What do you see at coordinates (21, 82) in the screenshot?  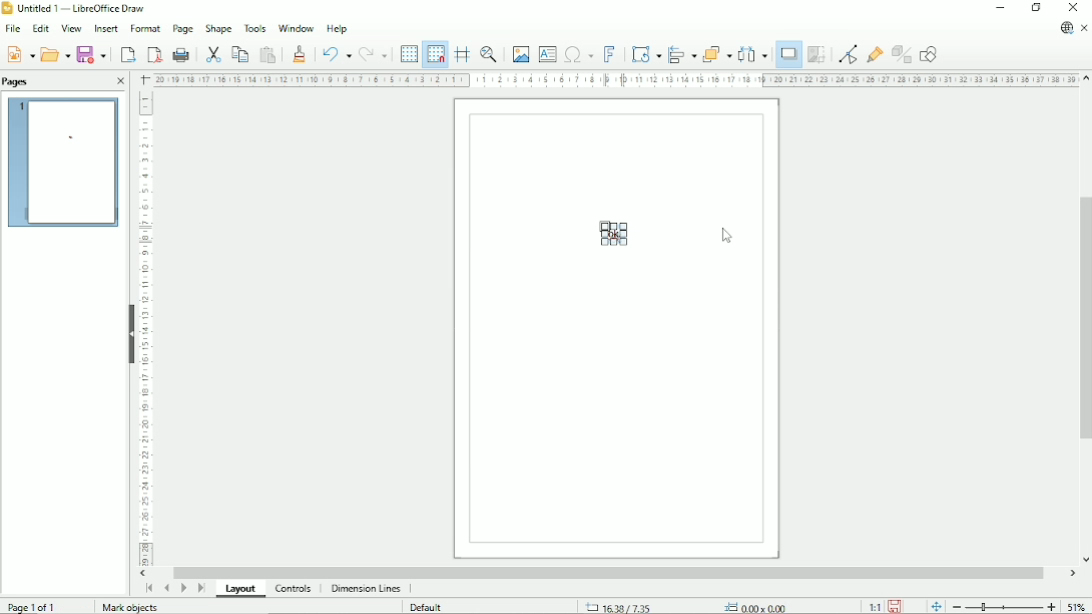 I see `Pages` at bounding box center [21, 82].